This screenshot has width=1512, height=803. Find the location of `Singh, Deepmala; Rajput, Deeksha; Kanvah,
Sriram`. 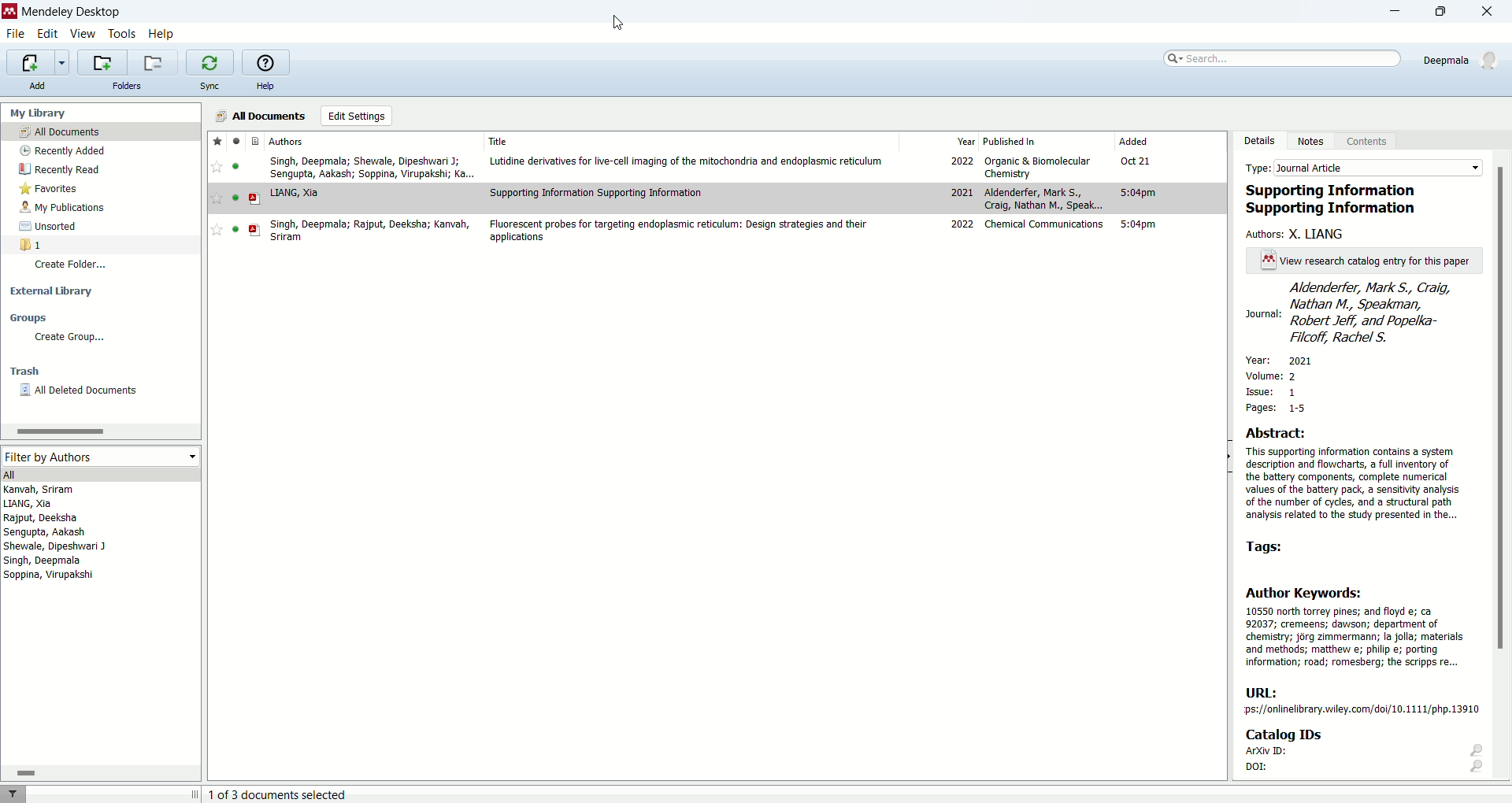

Singh, Deepmala; Rajput, Deeksha; Kanvah,
Sriram is located at coordinates (369, 231).